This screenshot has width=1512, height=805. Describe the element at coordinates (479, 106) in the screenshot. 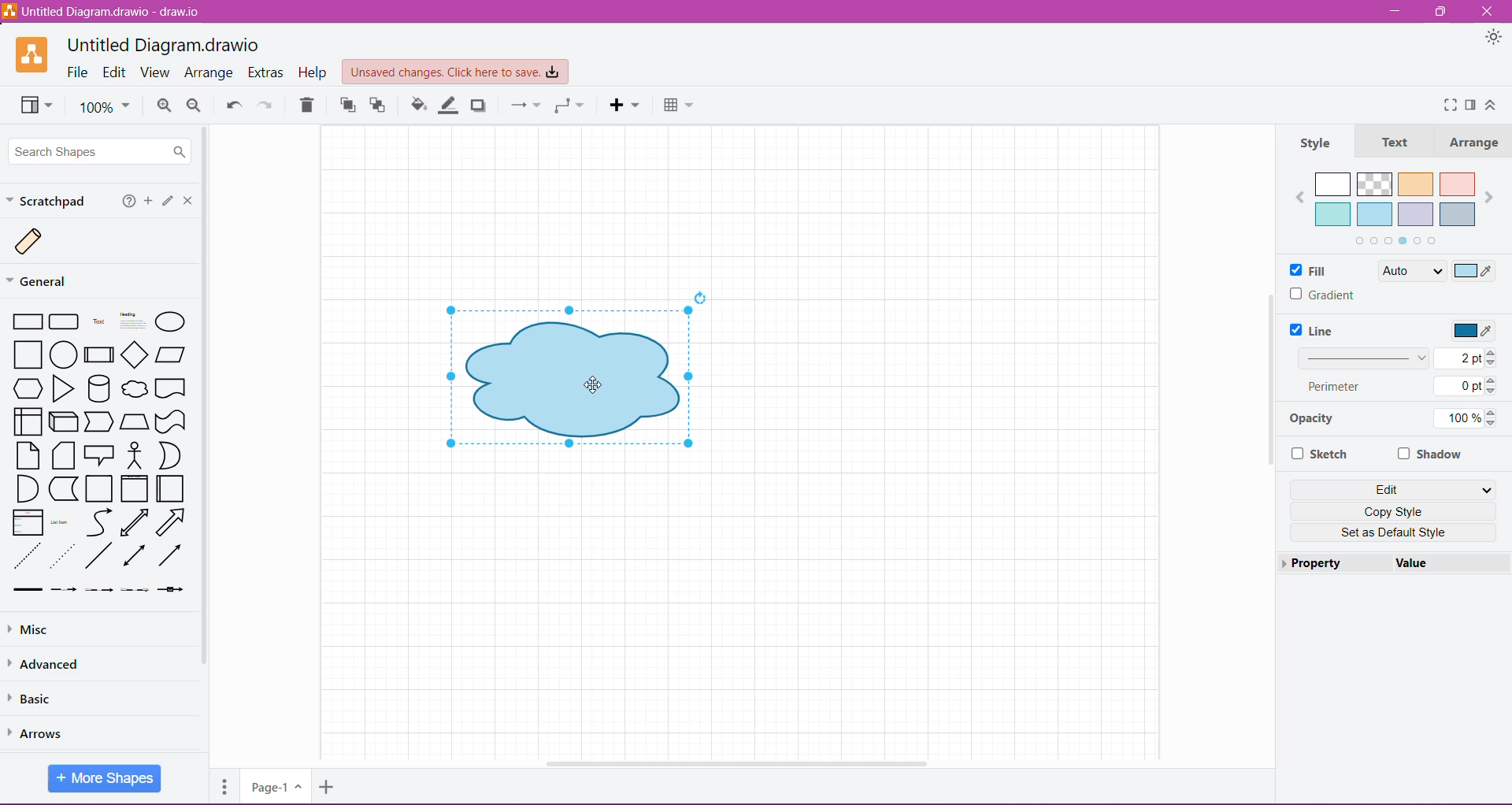

I see `Shadow` at that location.